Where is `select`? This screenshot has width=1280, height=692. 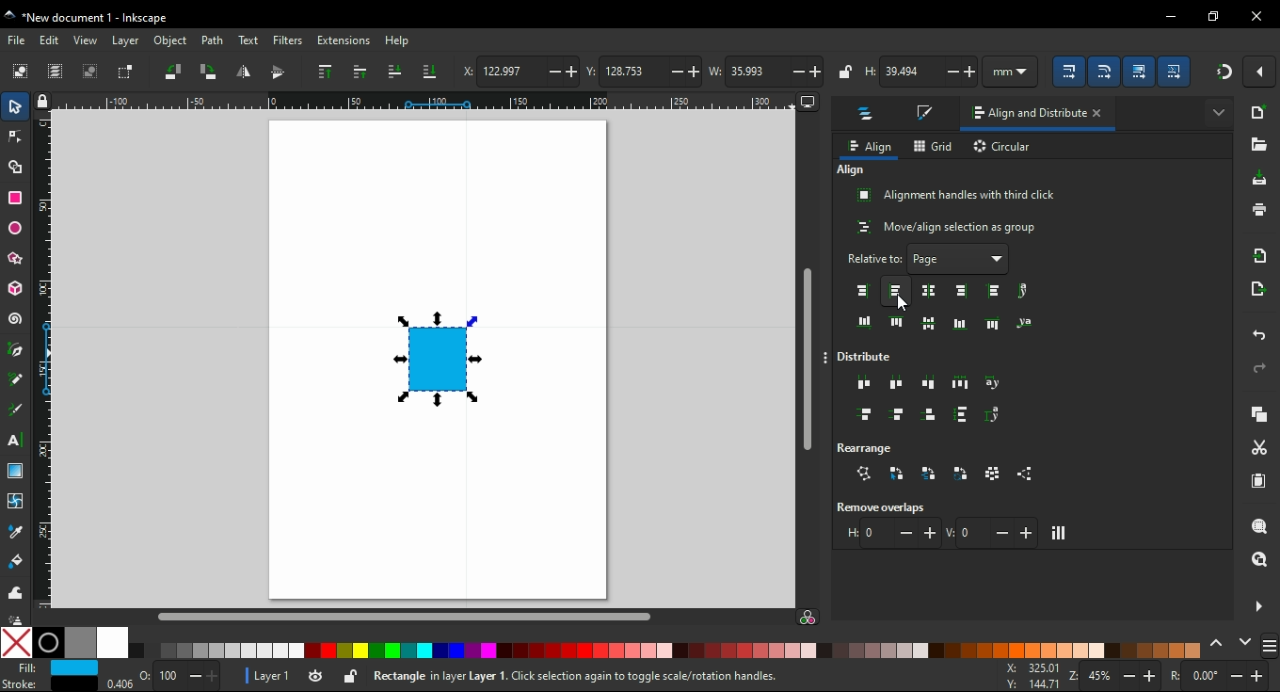 select is located at coordinates (22, 70).